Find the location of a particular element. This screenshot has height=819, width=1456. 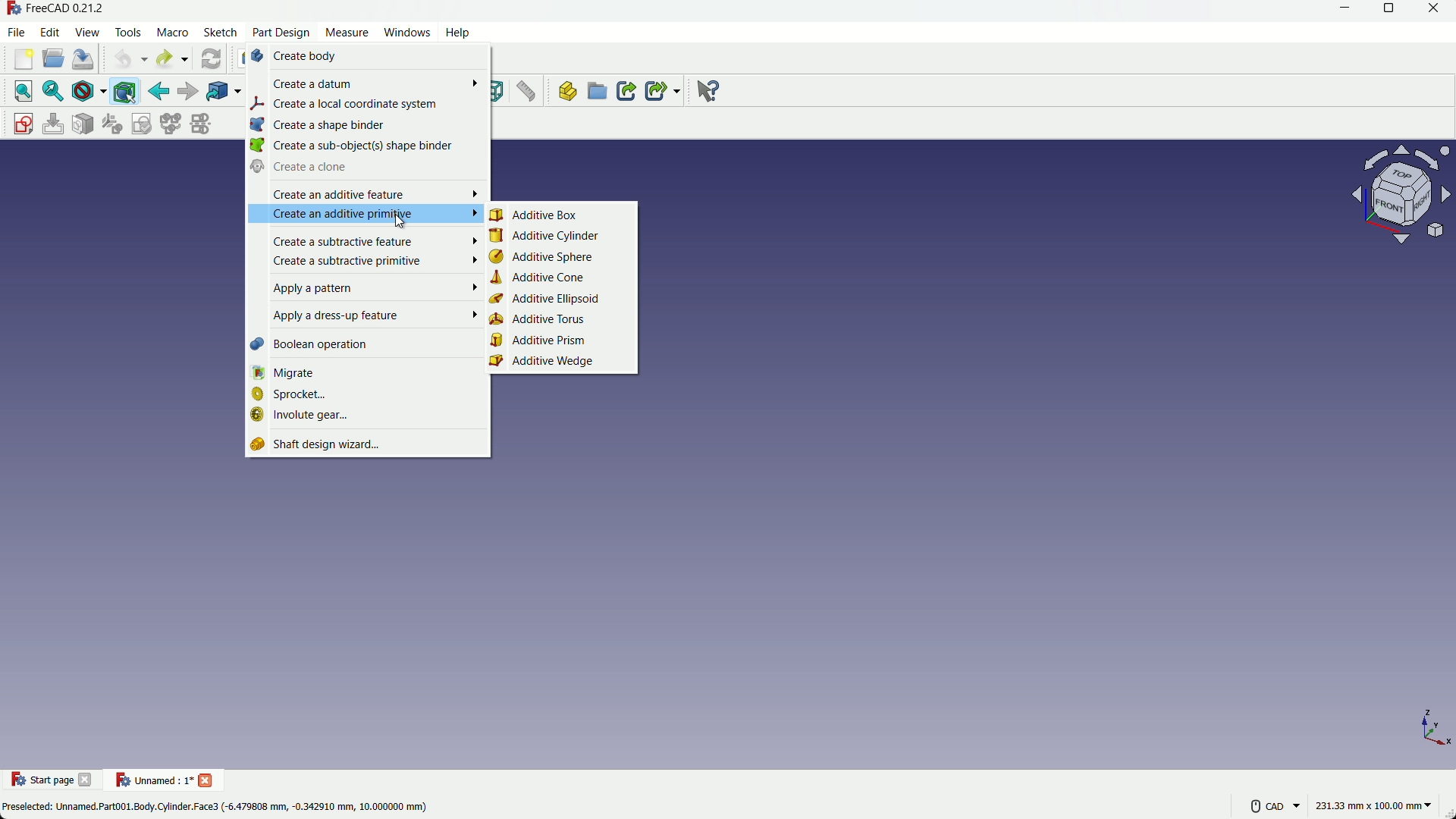

logo is located at coordinates (17, 777).